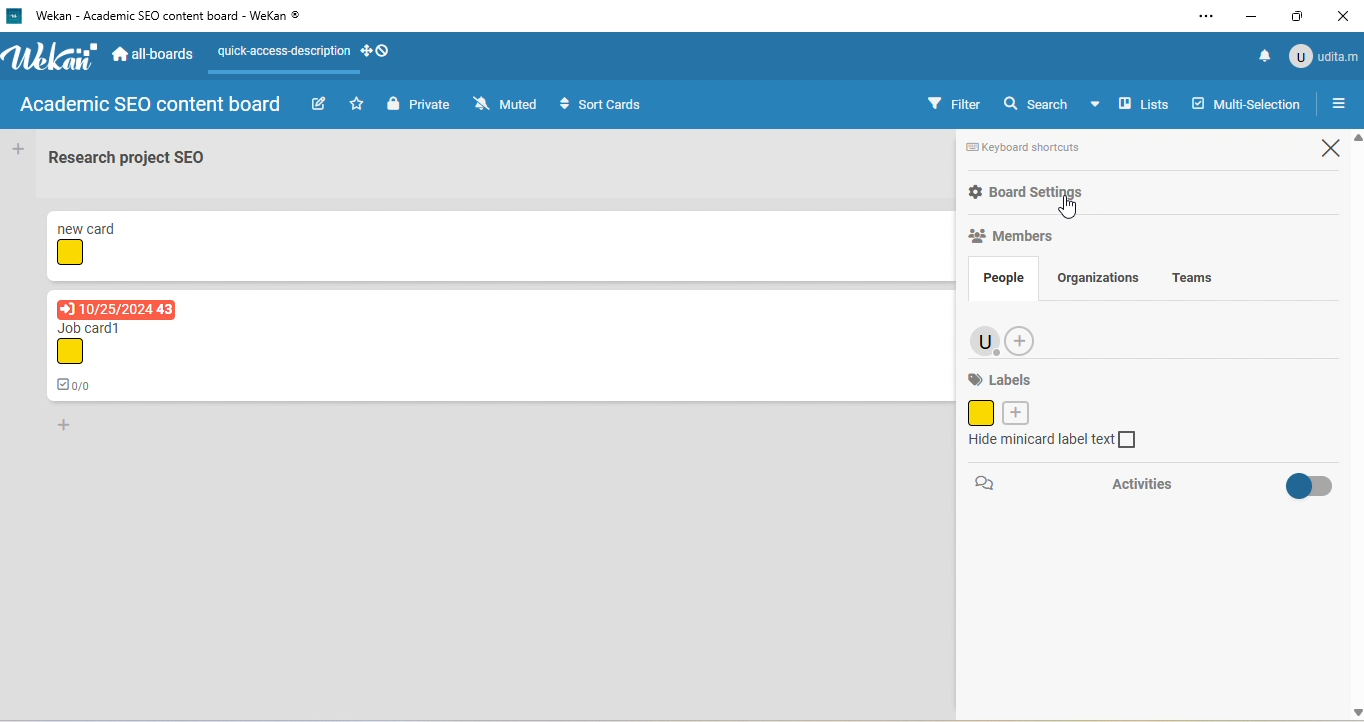 This screenshot has width=1364, height=722. Describe the element at coordinates (1004, 281) in the screenshot. I see `people` at that location.